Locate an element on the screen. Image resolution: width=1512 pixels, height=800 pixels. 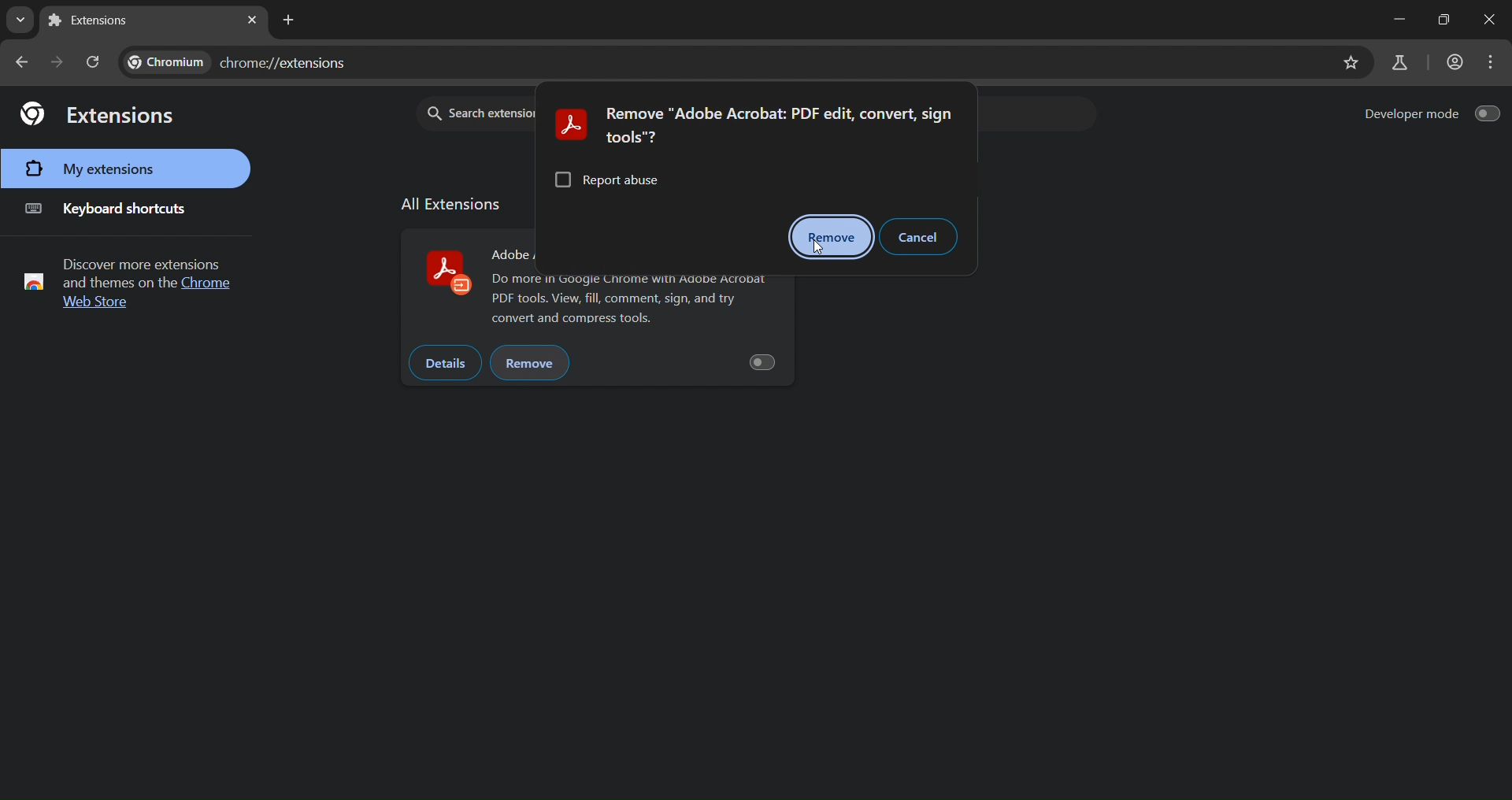
button is located at coordinates (750, 361).